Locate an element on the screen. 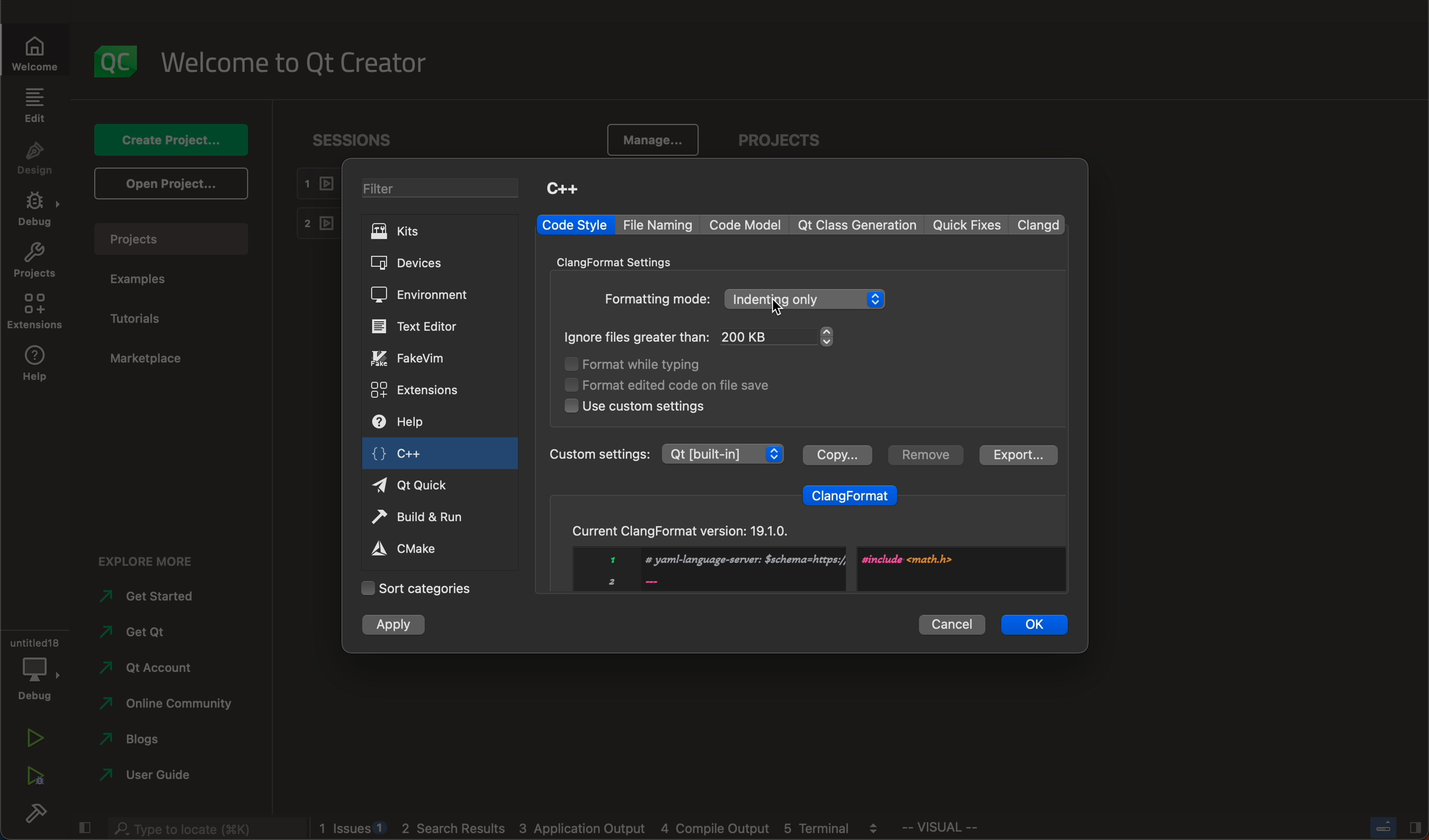 This screenshot has width=1429, height=840. editor is located at coordinates (417, 326).